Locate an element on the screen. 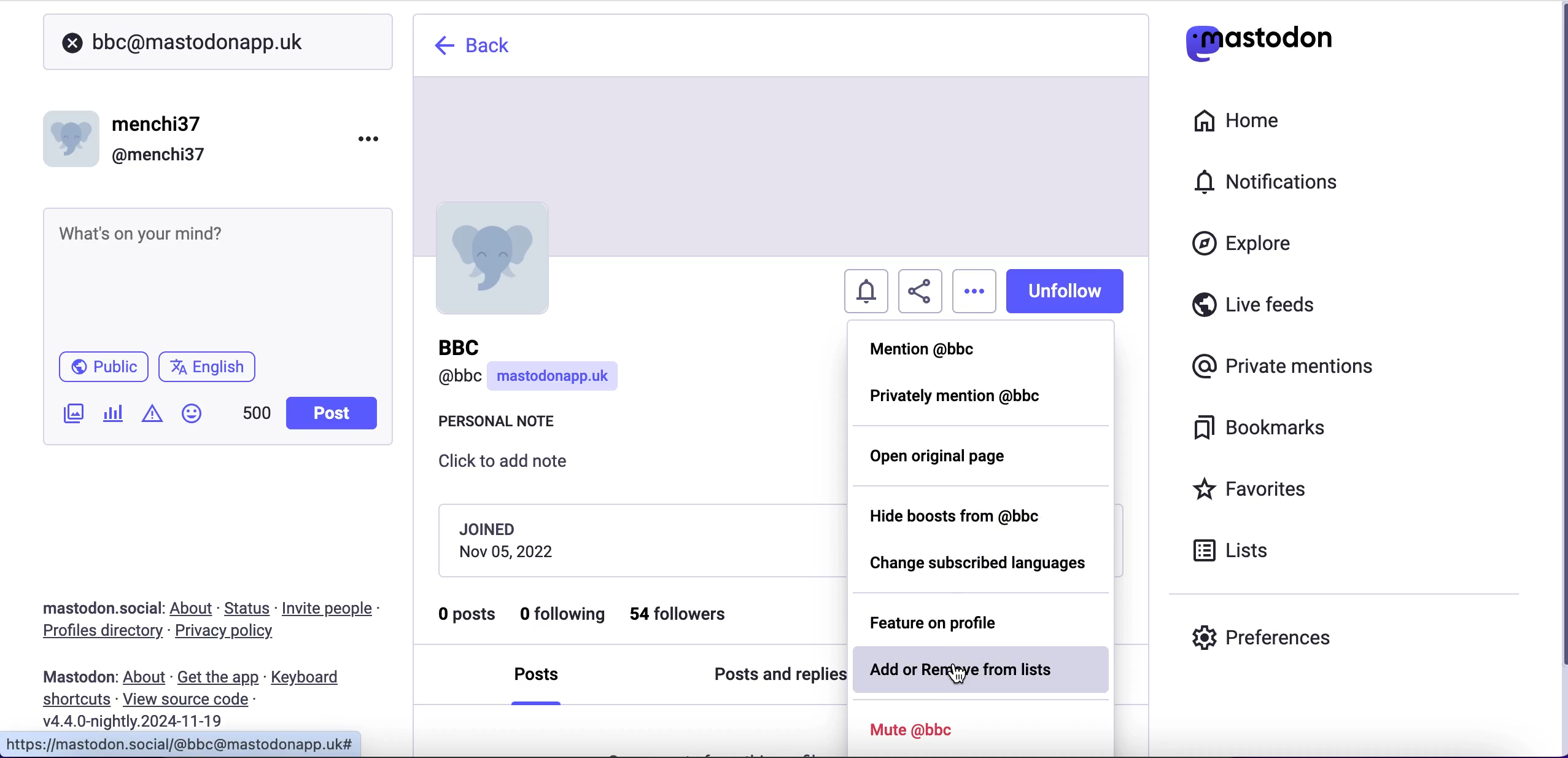 This screenshot has width=1568, height=758. click to add note is located at coordinates (513, 466).